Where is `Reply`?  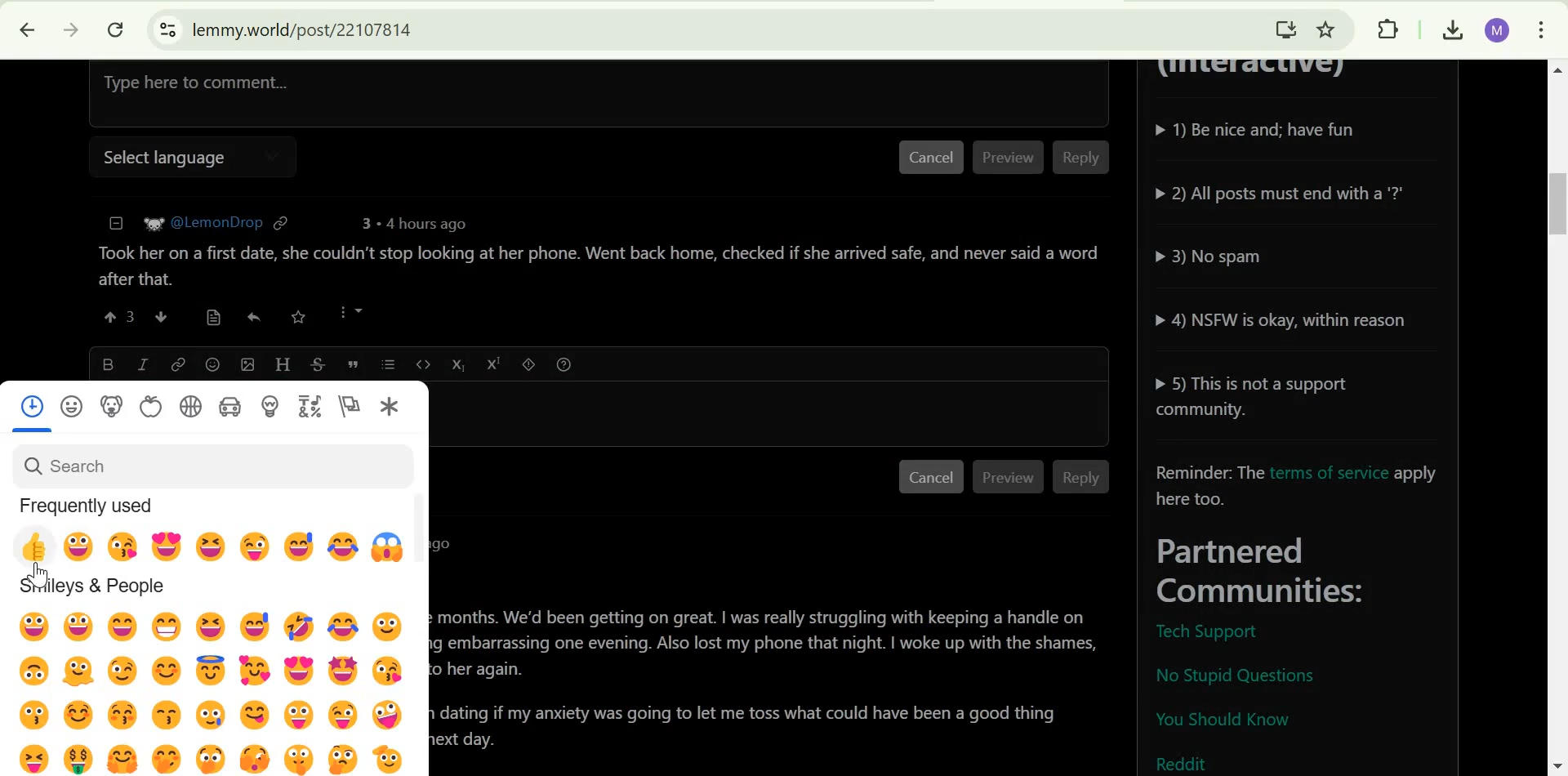 Reply is located at coordinates (1080, 158).